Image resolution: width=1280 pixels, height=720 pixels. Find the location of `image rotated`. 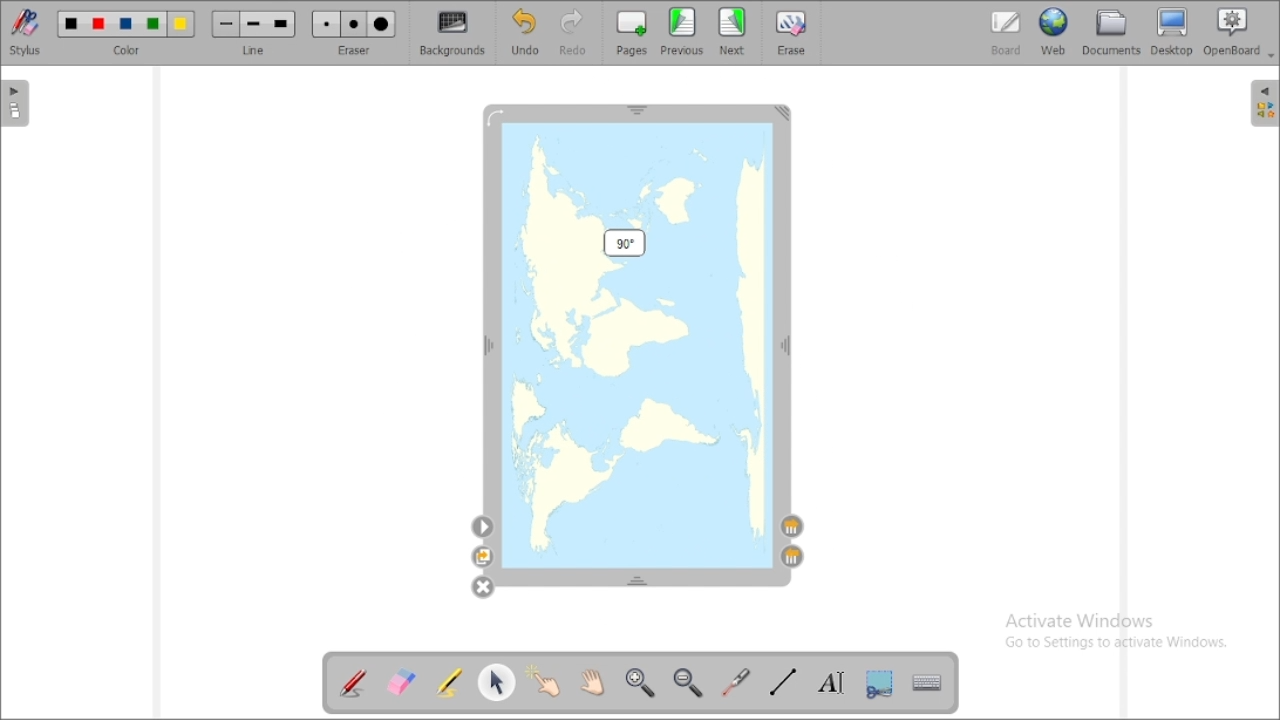

image rotated is located at coordinates (636, 341).